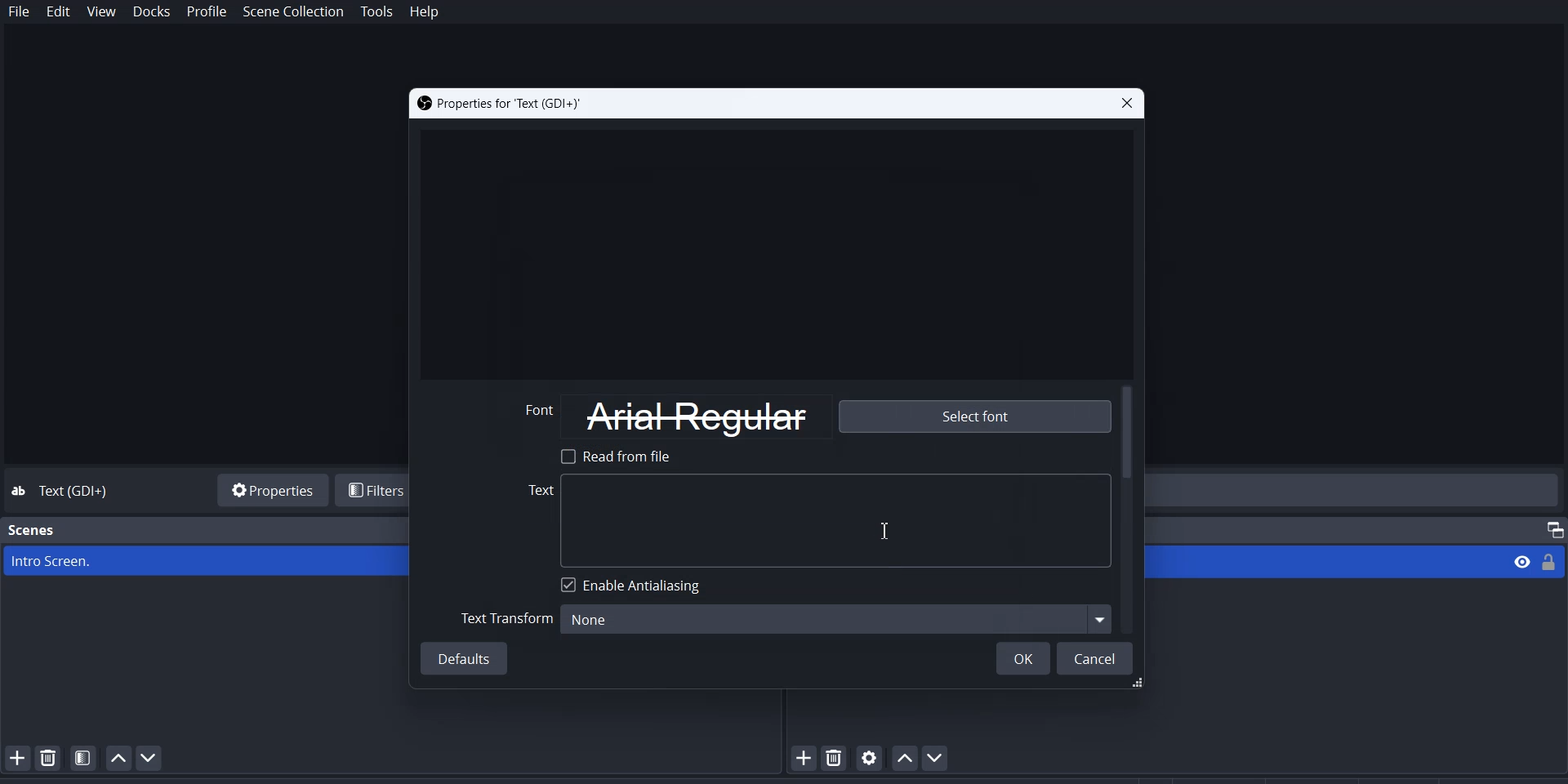 The image size is (1568, 784). I want to click on Scenes, so click(33, 530).